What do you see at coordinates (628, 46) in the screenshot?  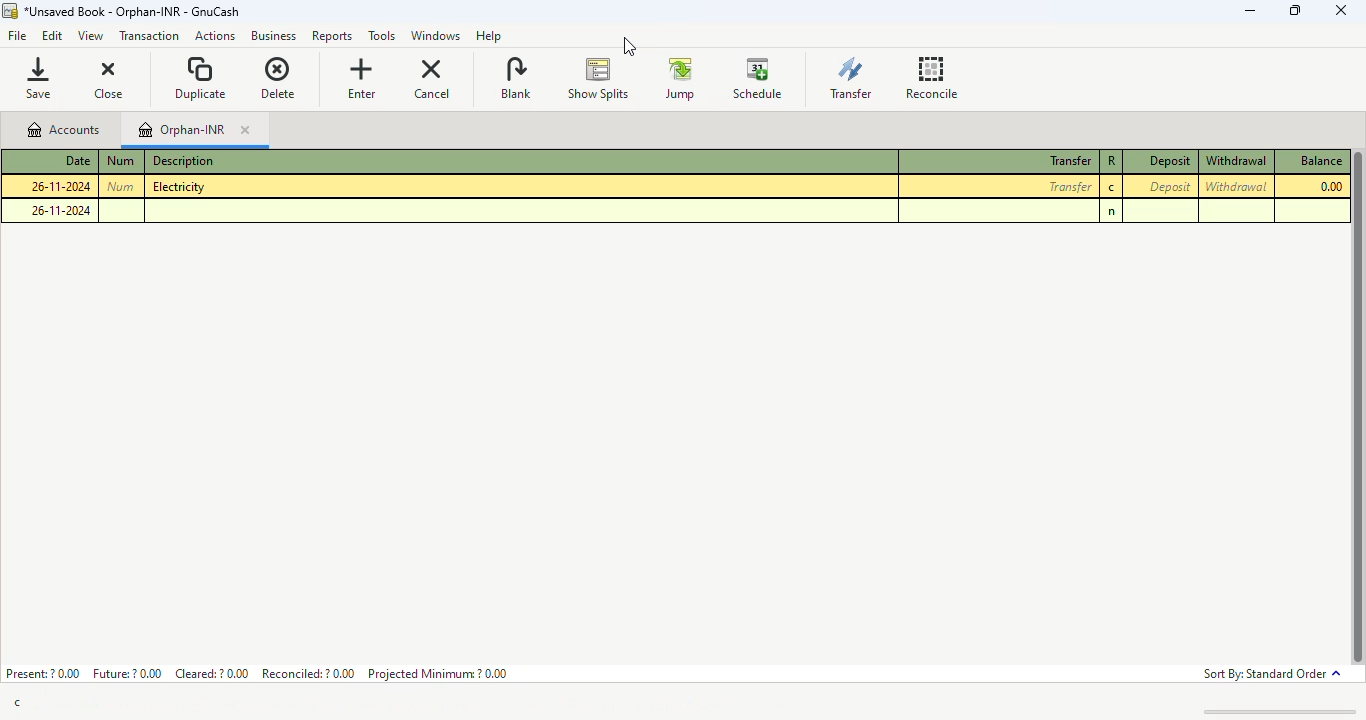 I see `cursor` at bounding box center [628, 46].